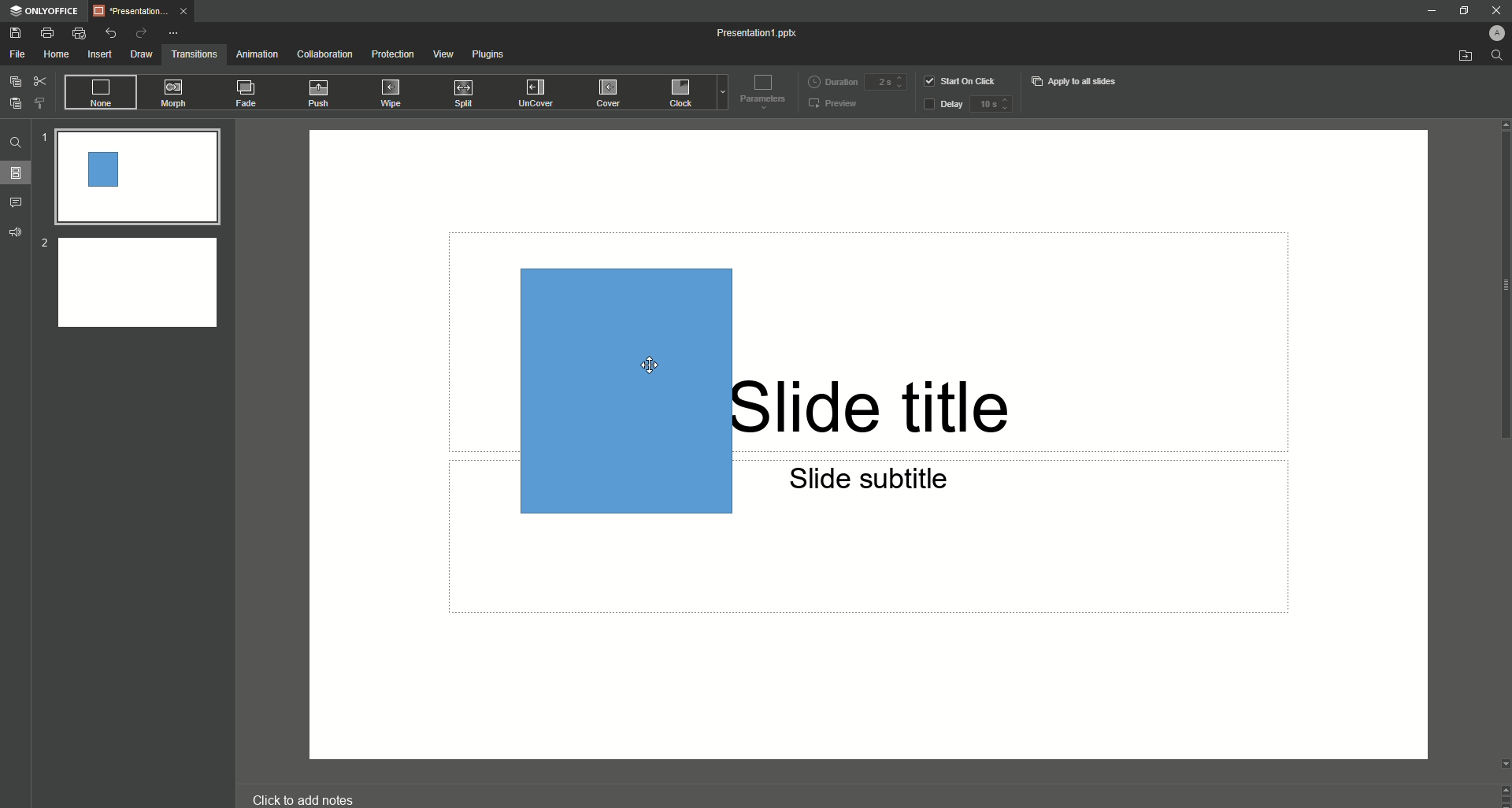 Image resolution: width=1512 pixels, height=808 pixels. I want to click on Profile, so click(1491, 33).